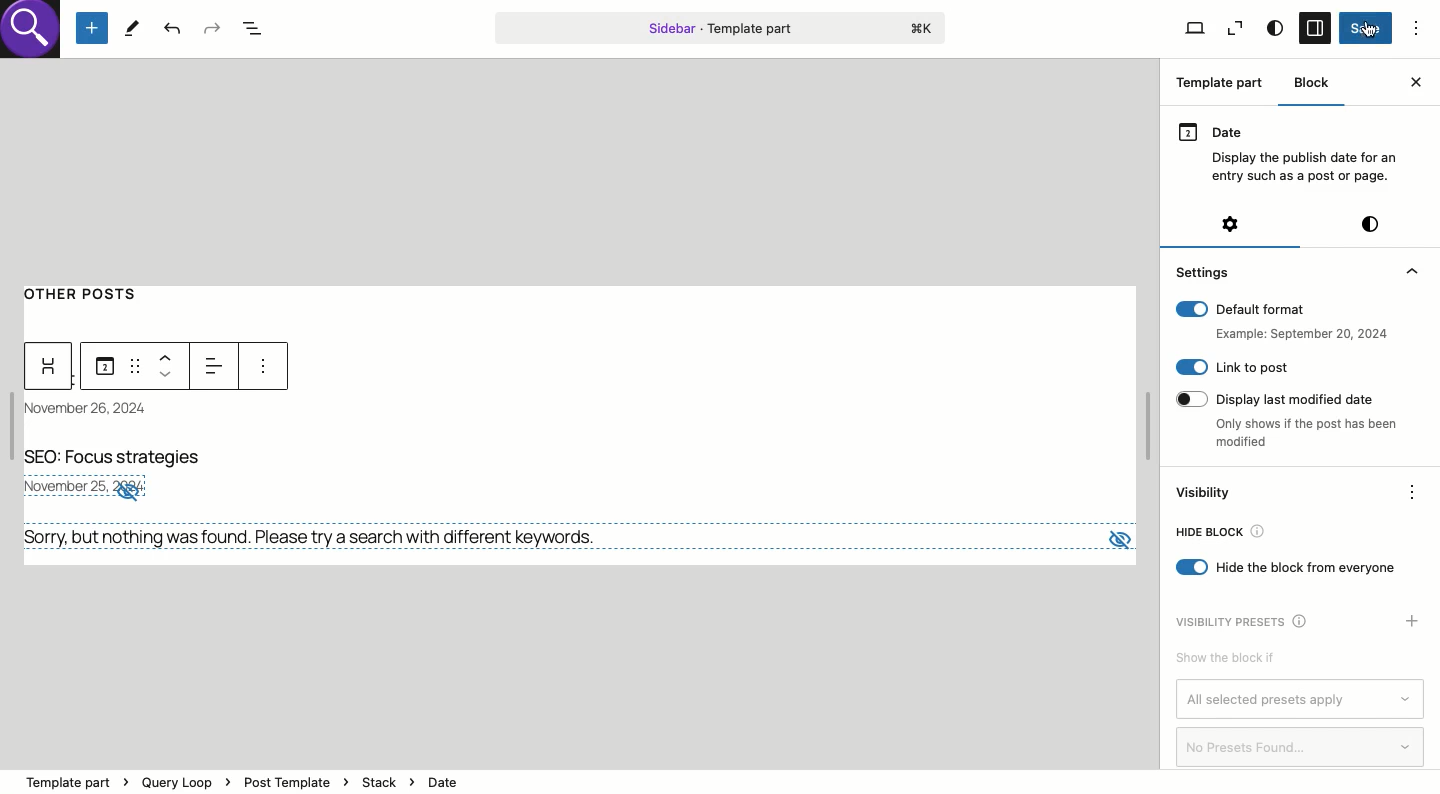 This screenshot has height=794, width=1440. What do you see at coordinates (1116, 534) in the screenshot?
I see `view` at bounding box center [1116, 534].